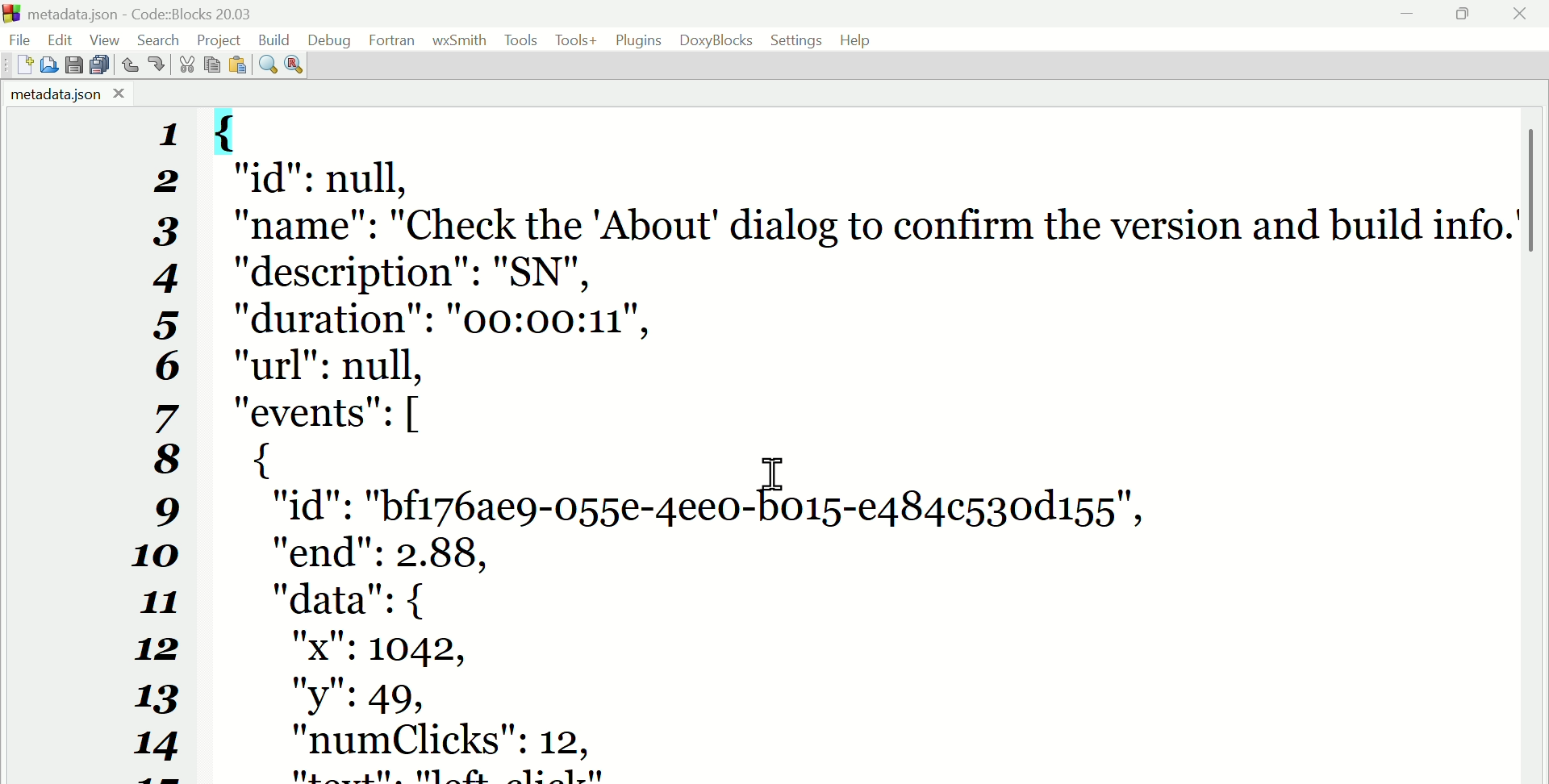  Describe the element at coordinates (716, 39) in the screenshot. I see `Doxyblocks` at that location.